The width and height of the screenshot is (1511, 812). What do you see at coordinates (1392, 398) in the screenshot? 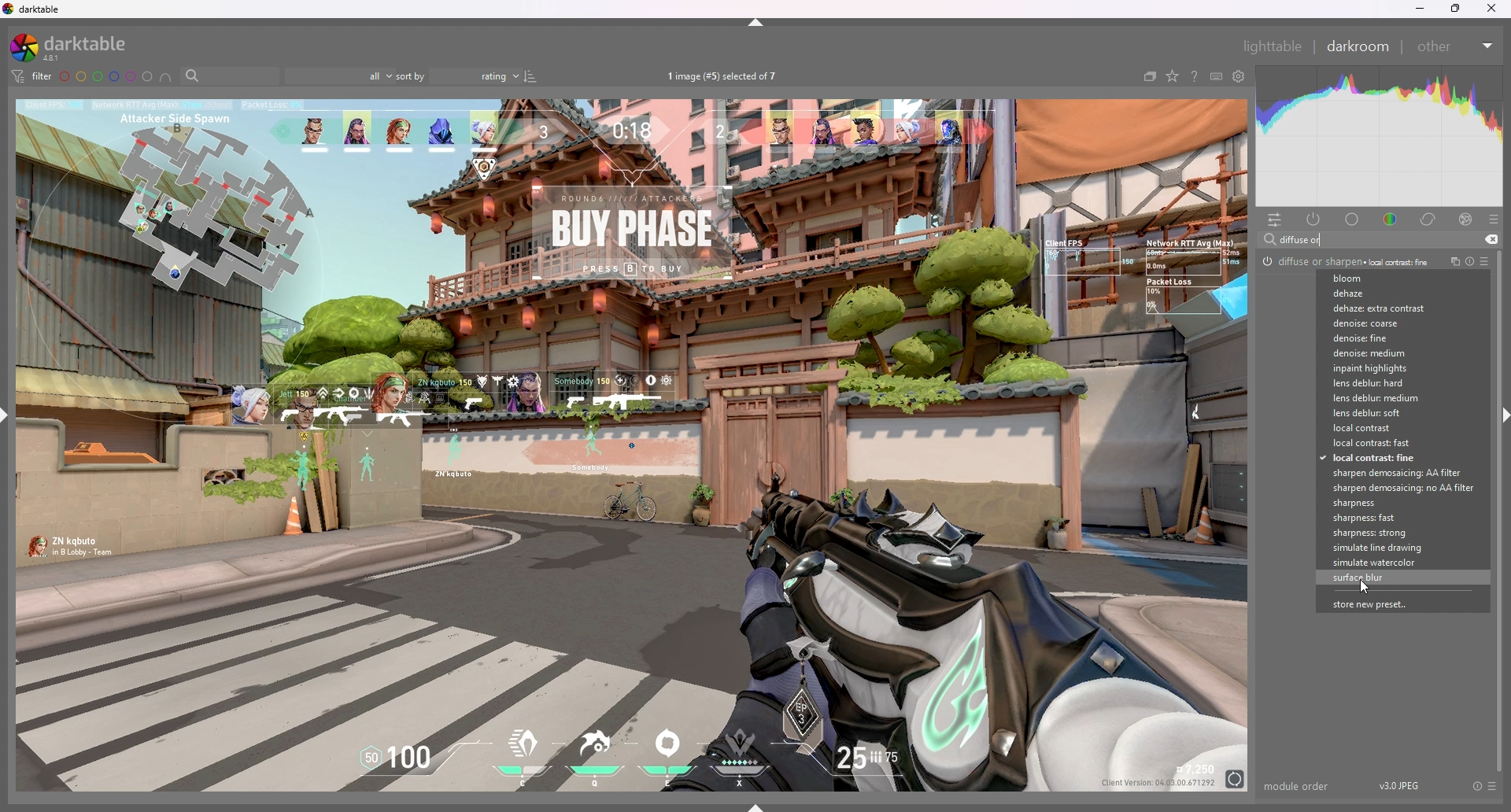
I see `lens deblur medium` at bounding box center [1392, 398].